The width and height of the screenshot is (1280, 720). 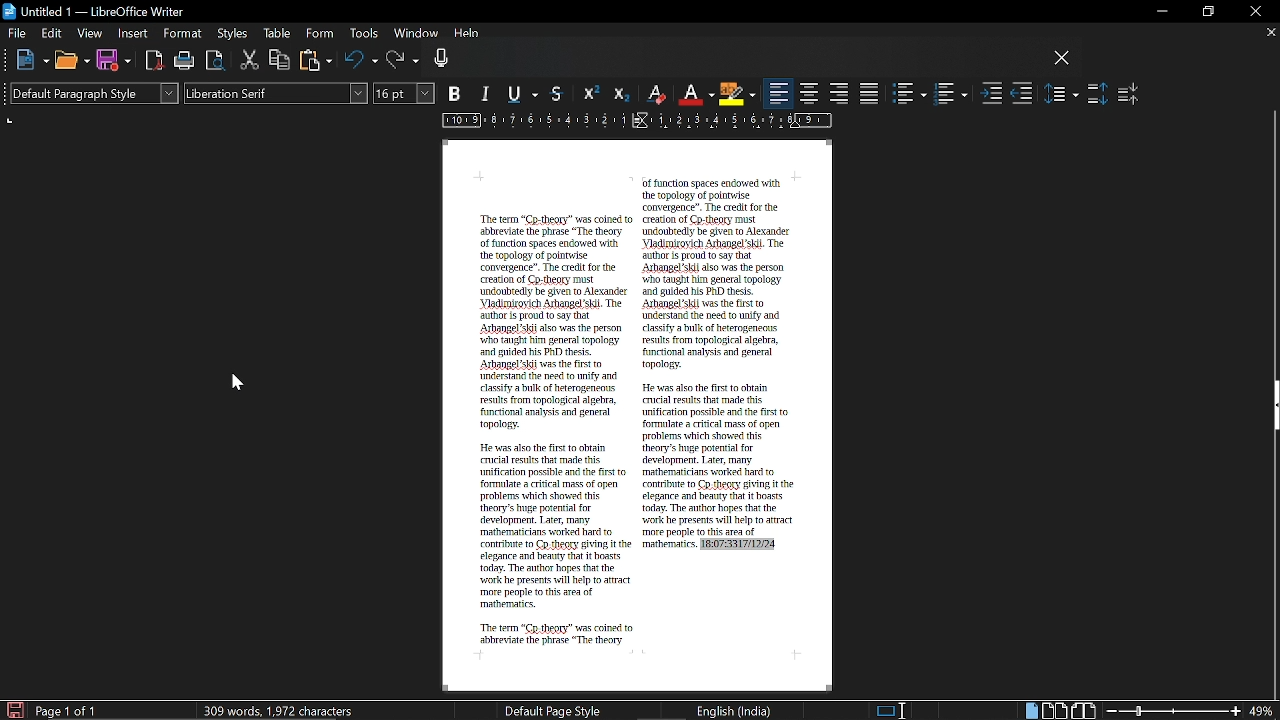 I want to click on Align left, so click(x=779, y=94).